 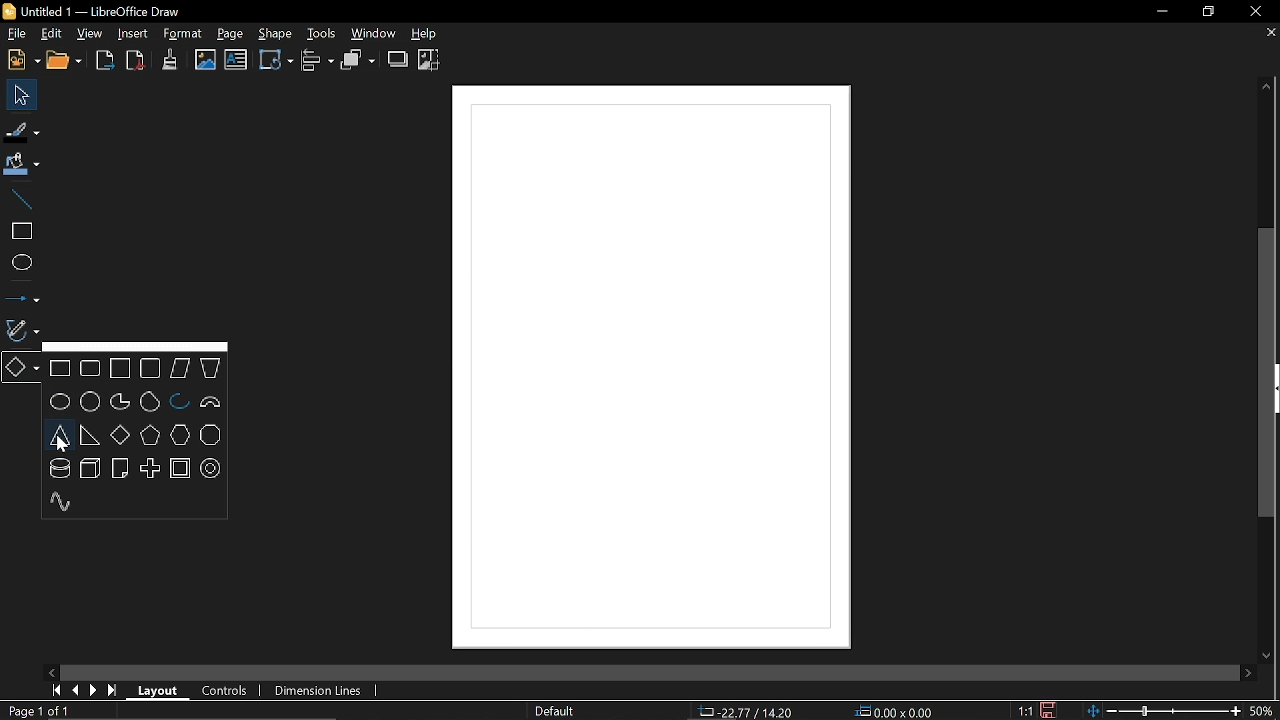 What do you see at coordinates (21, 328) in the screenshot?
I see `Curves and polygons` at bounding box center [21, 328].